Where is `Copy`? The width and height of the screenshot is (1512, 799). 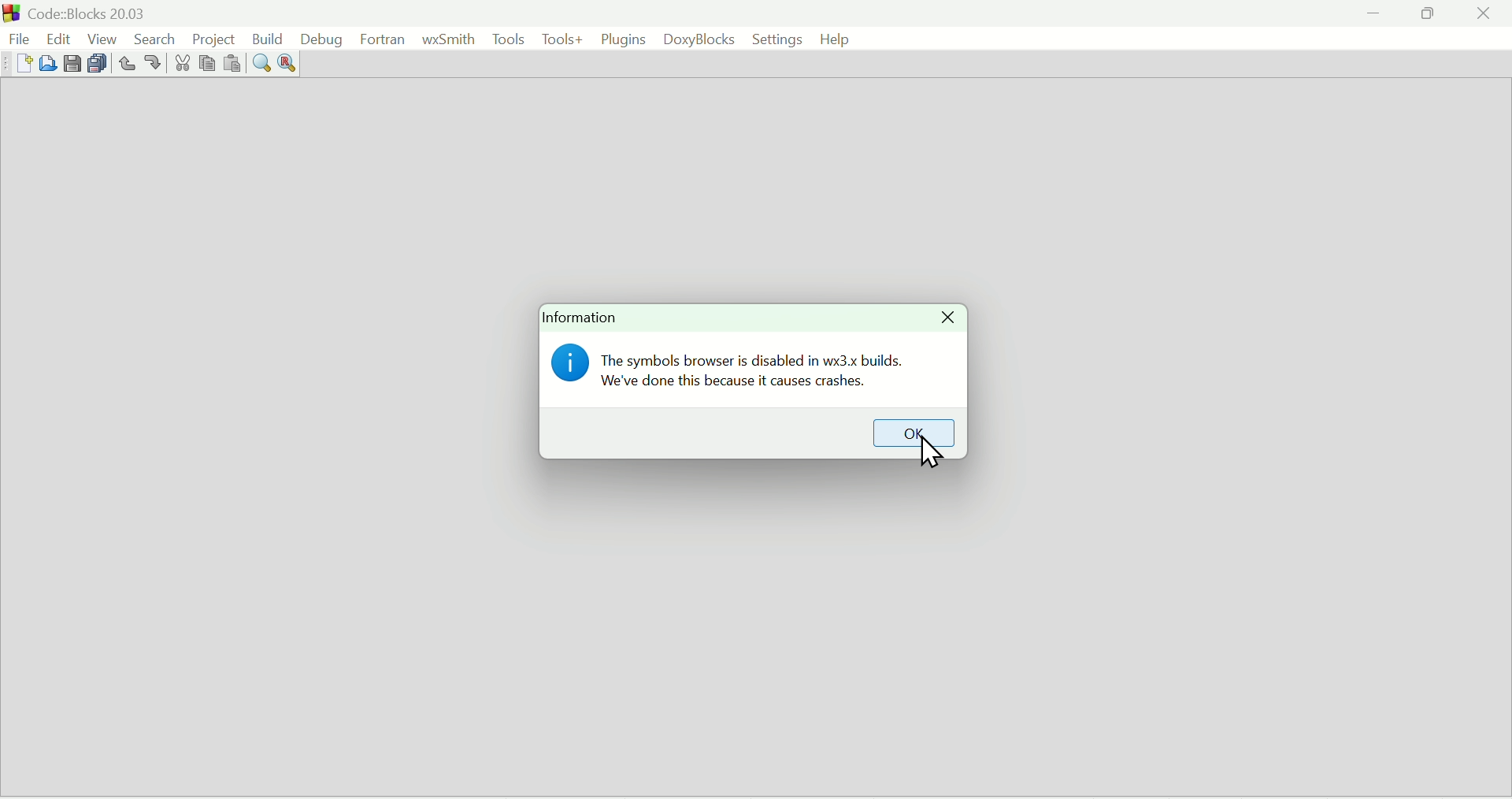 Copy is located at coordinates (204, 65).